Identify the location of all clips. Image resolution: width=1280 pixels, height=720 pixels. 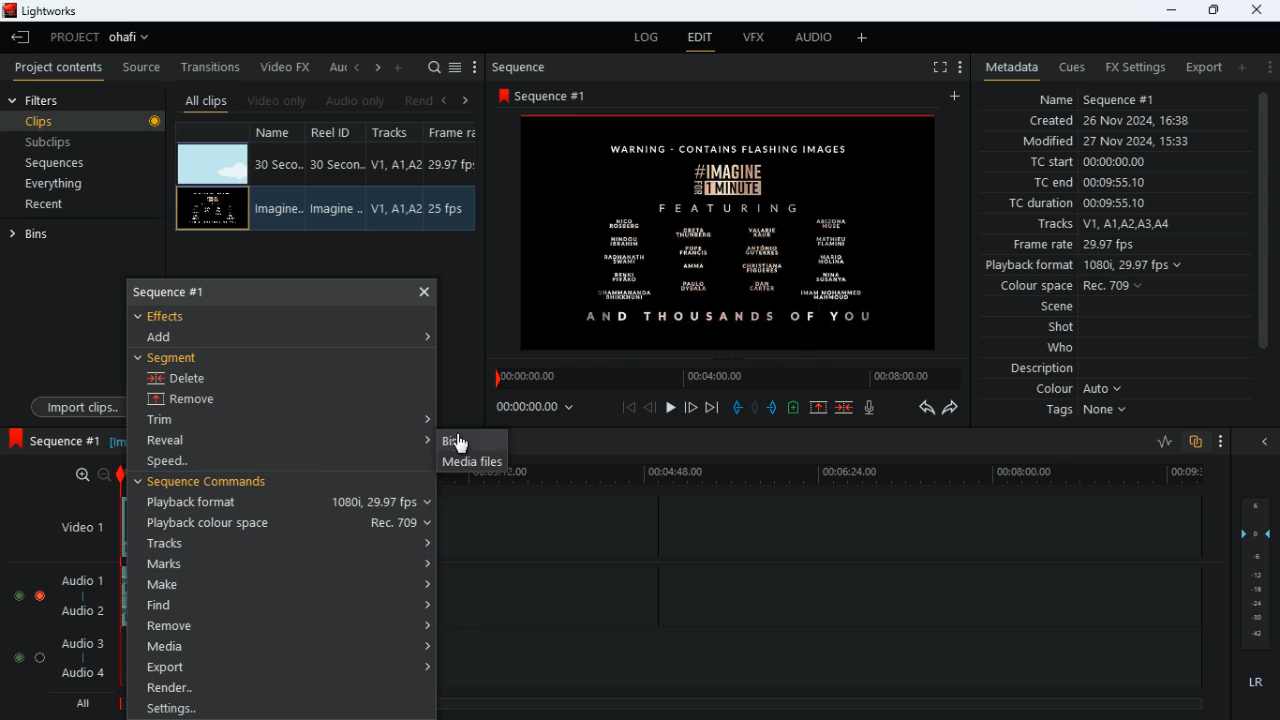
(206, 100).